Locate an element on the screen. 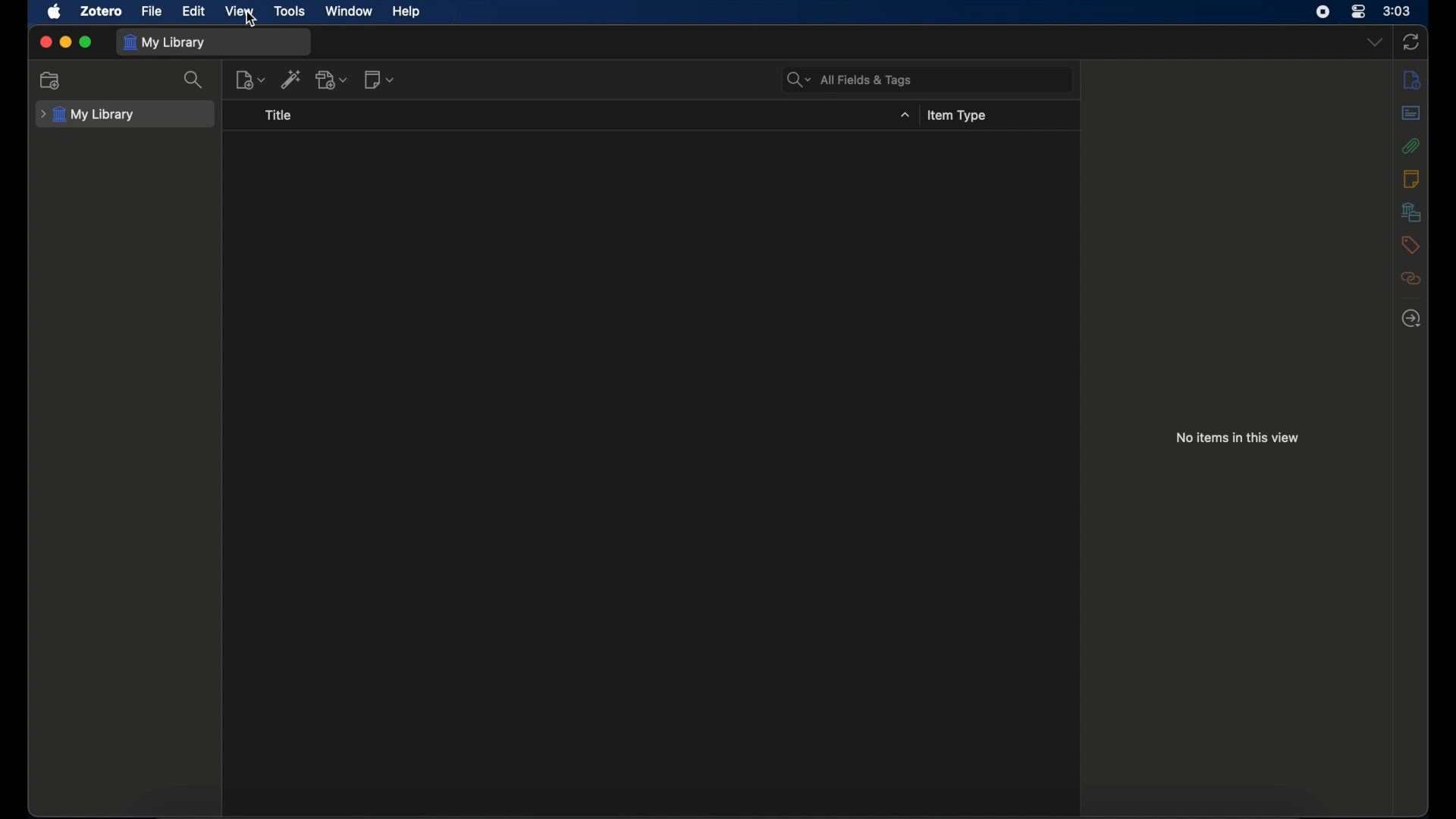 Image resolution: width=1456 pixels, height=819 pixels. time is located at coordinates (1398, 10).